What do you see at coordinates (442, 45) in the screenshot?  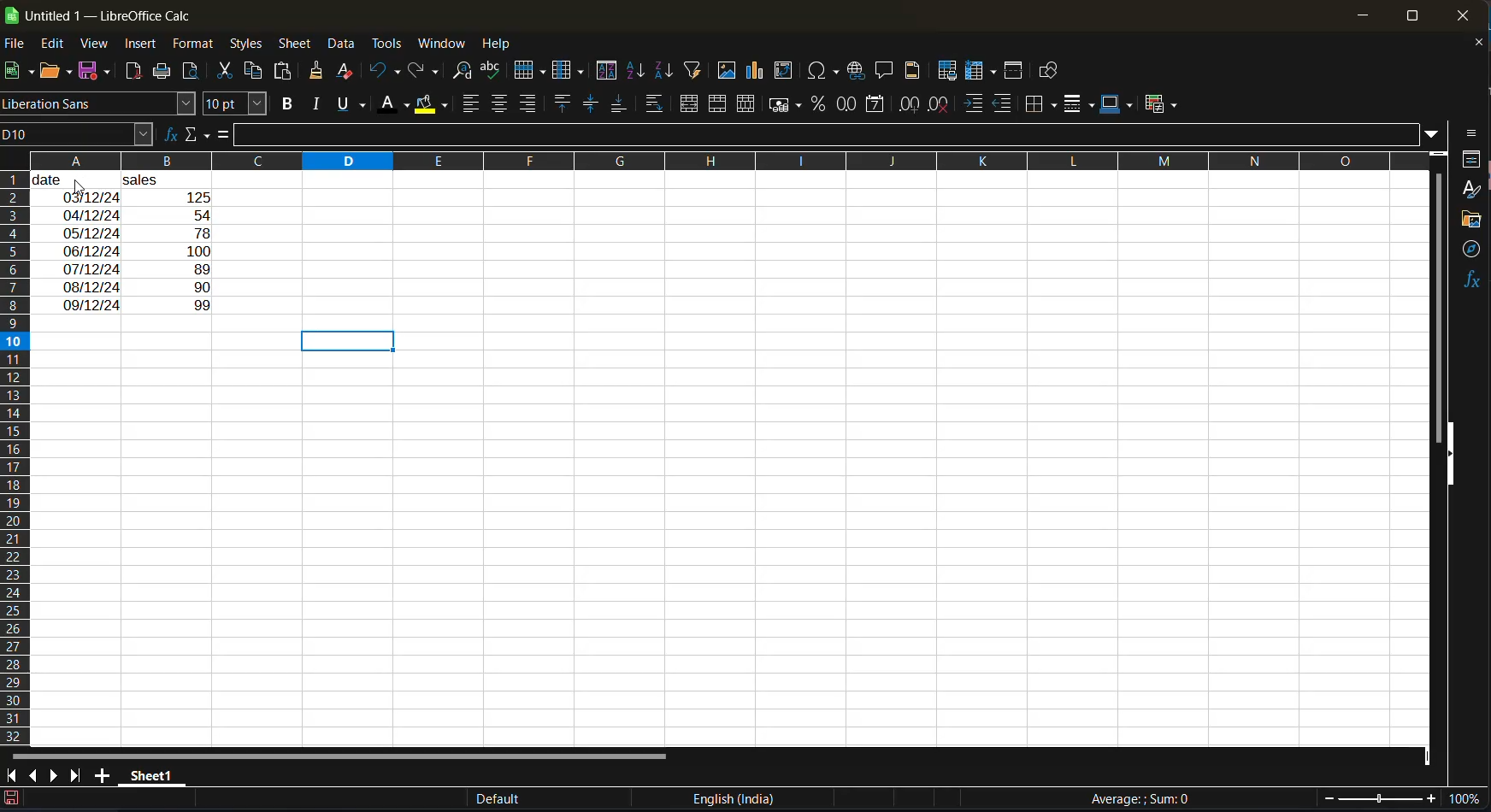 I see `window` at bounding box center [442, 45].